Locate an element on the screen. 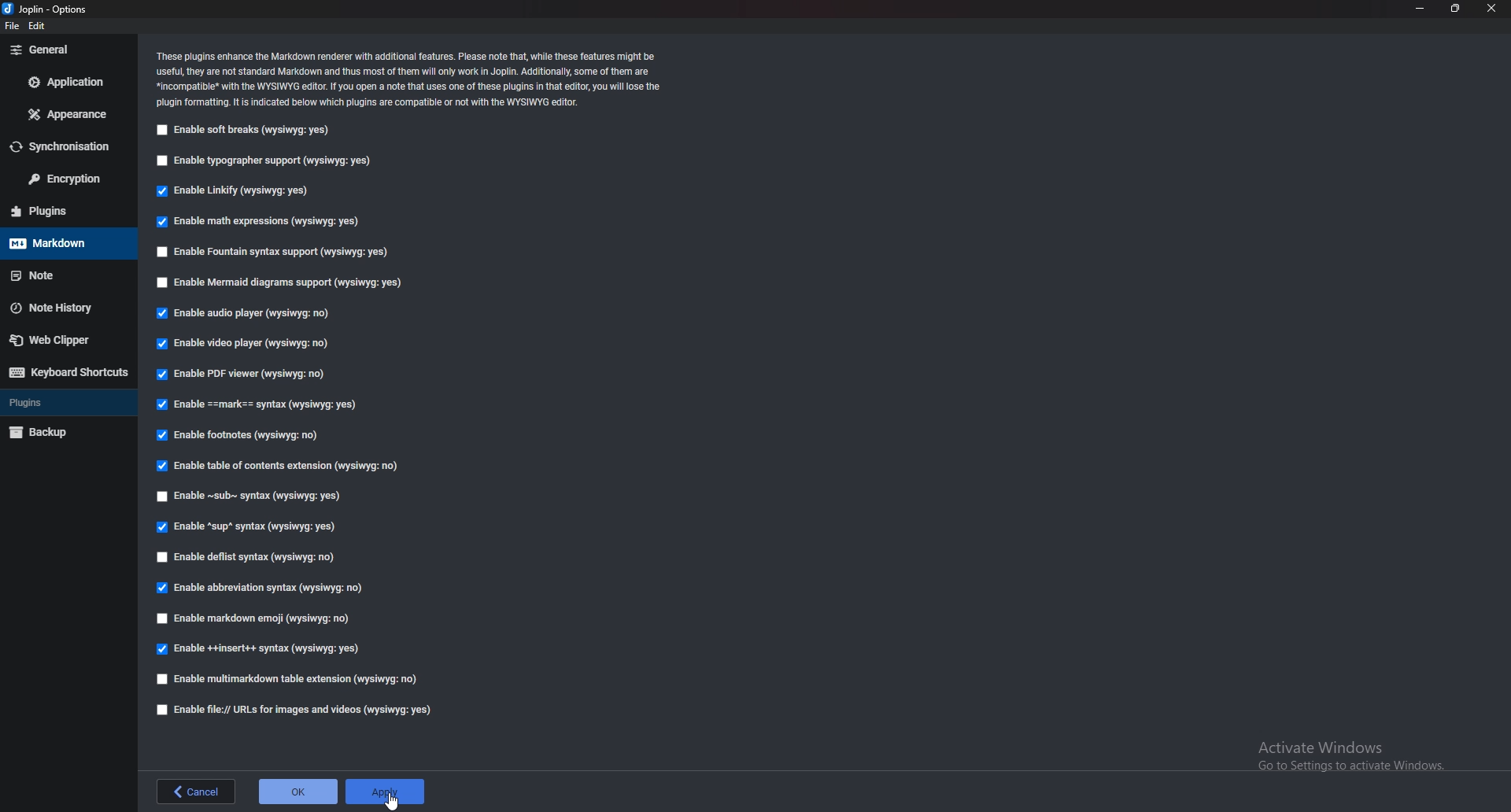 The height and width of the screenshot is (812, 1511). Mark down is located at coordinates (63, 242).